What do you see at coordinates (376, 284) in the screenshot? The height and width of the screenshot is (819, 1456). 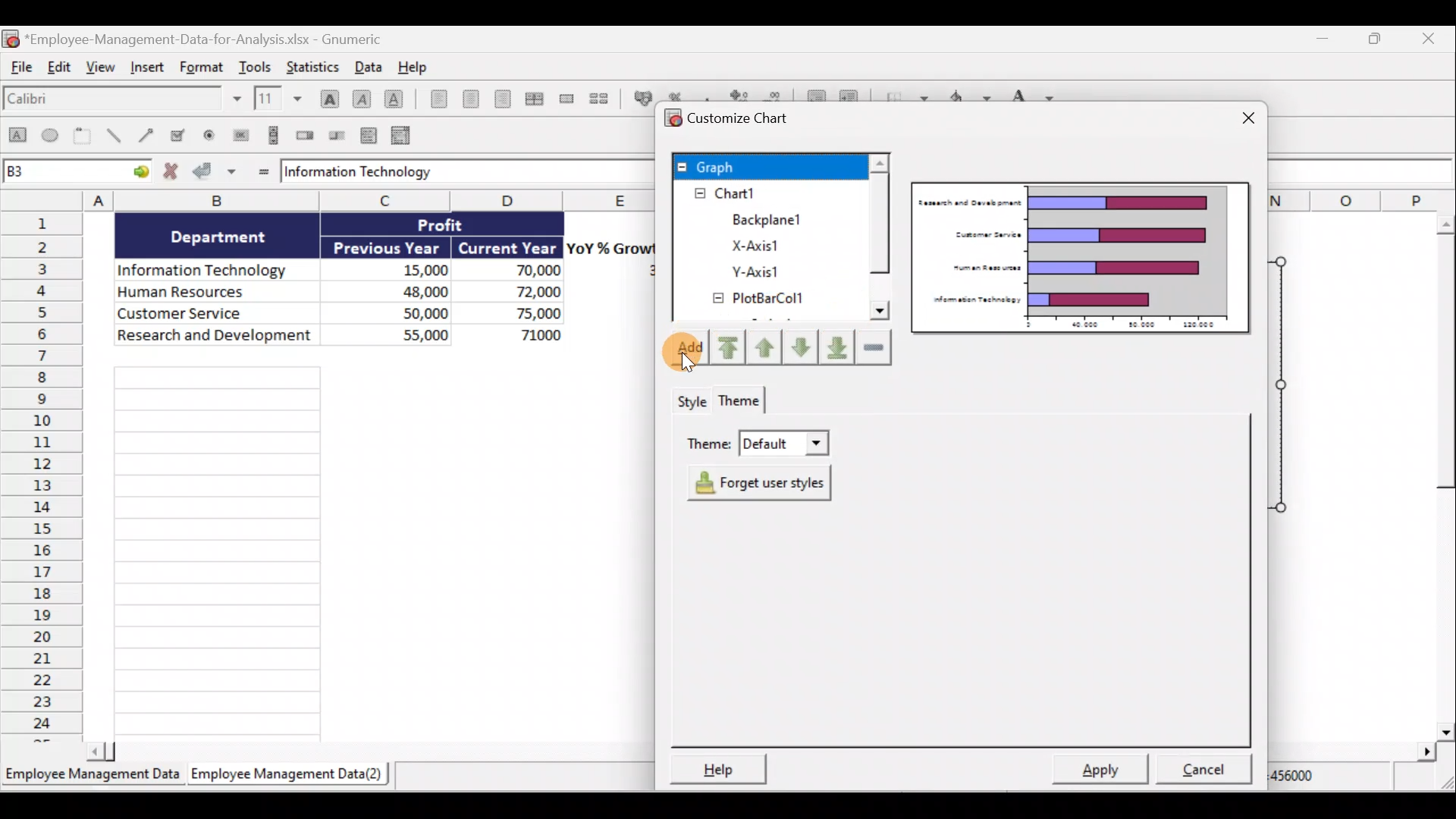 I see `Data` at bounding box center [376, 284].